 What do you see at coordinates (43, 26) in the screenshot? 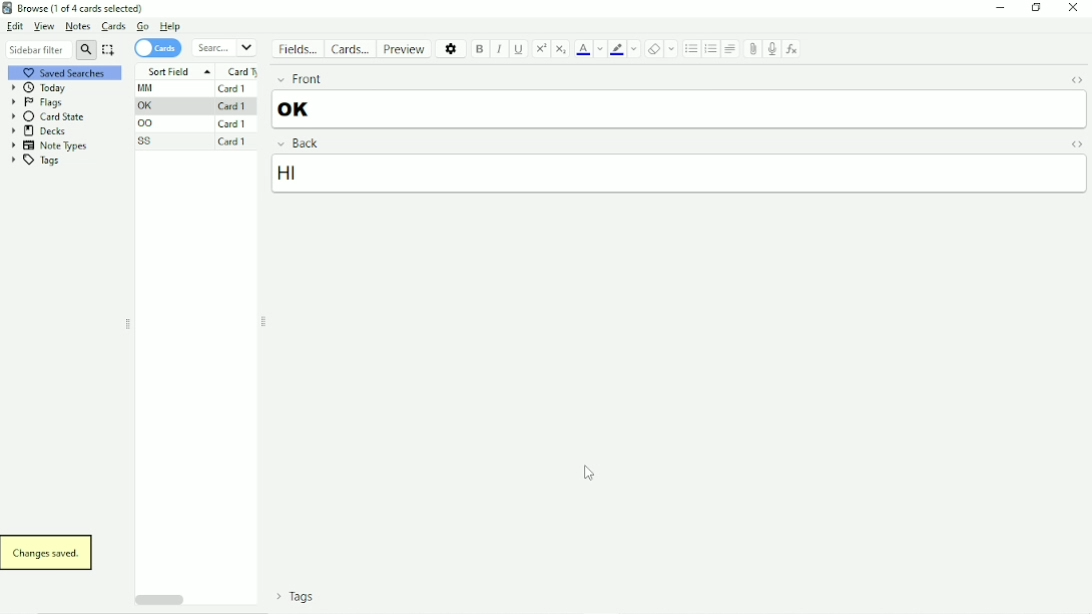
I see `View` at bounding box center [43, 26].